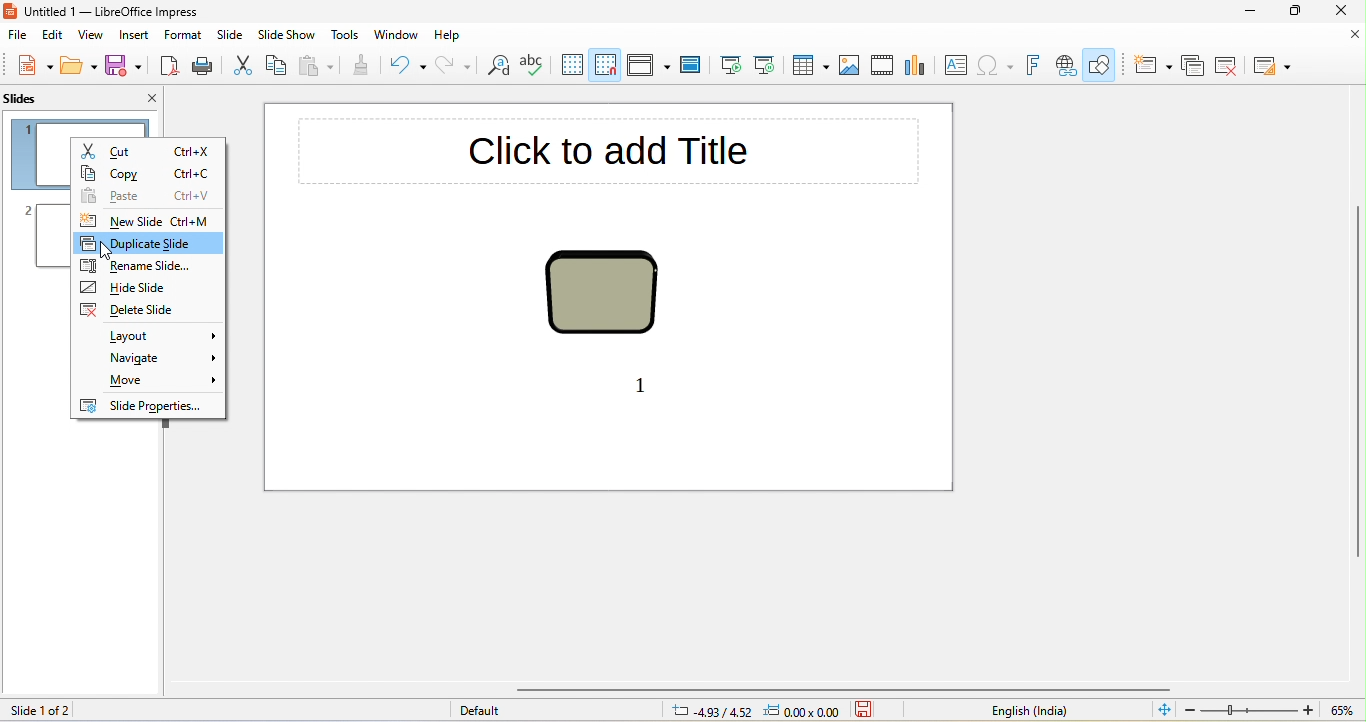 The height and width of the screenshot is (722, 1366). Describe the element at coordinates (151, 221) in the screenshot. I see `new slide` at that location.